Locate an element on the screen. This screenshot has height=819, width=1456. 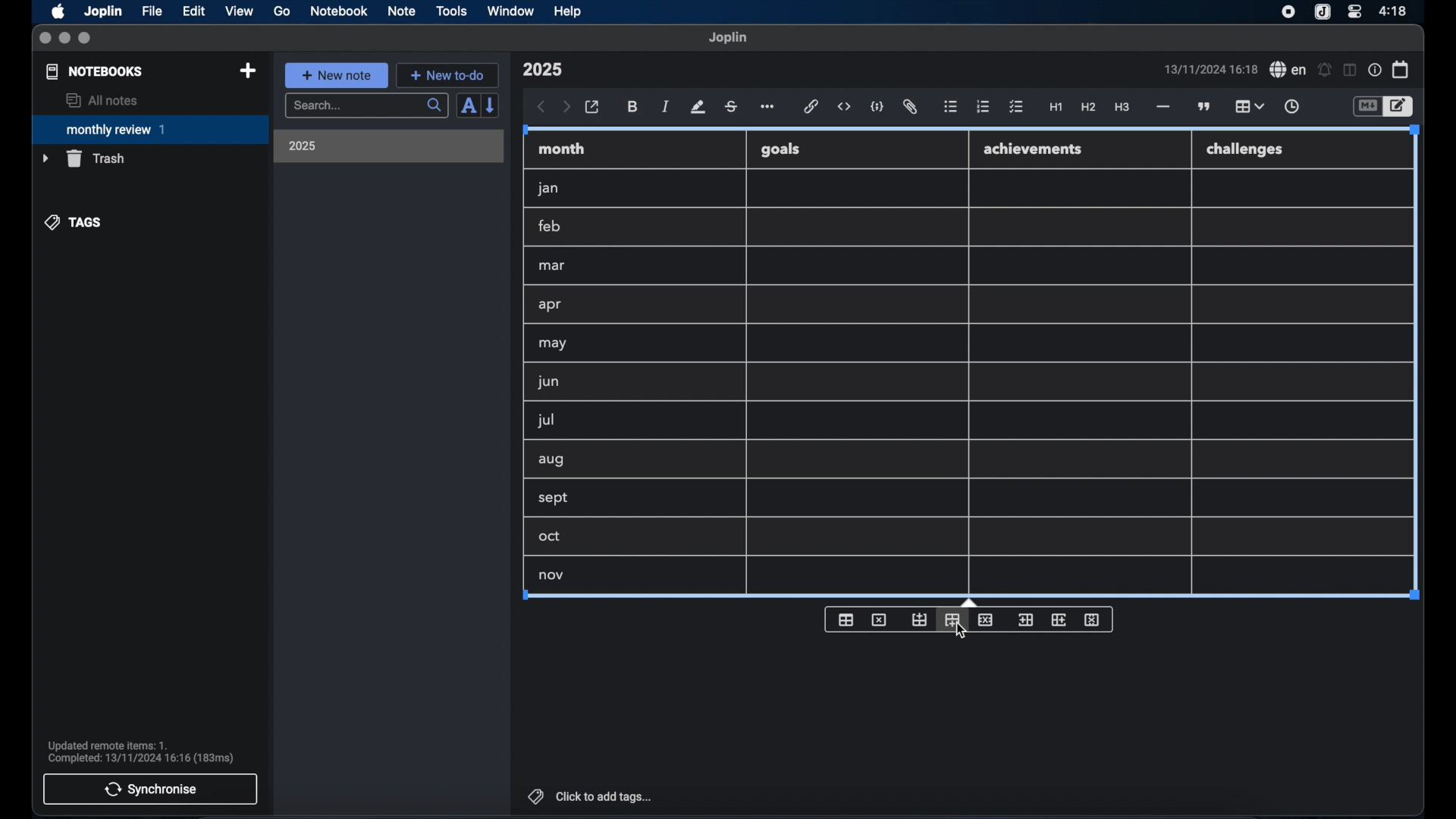
click to add tags is located at coordinates (591, 796).